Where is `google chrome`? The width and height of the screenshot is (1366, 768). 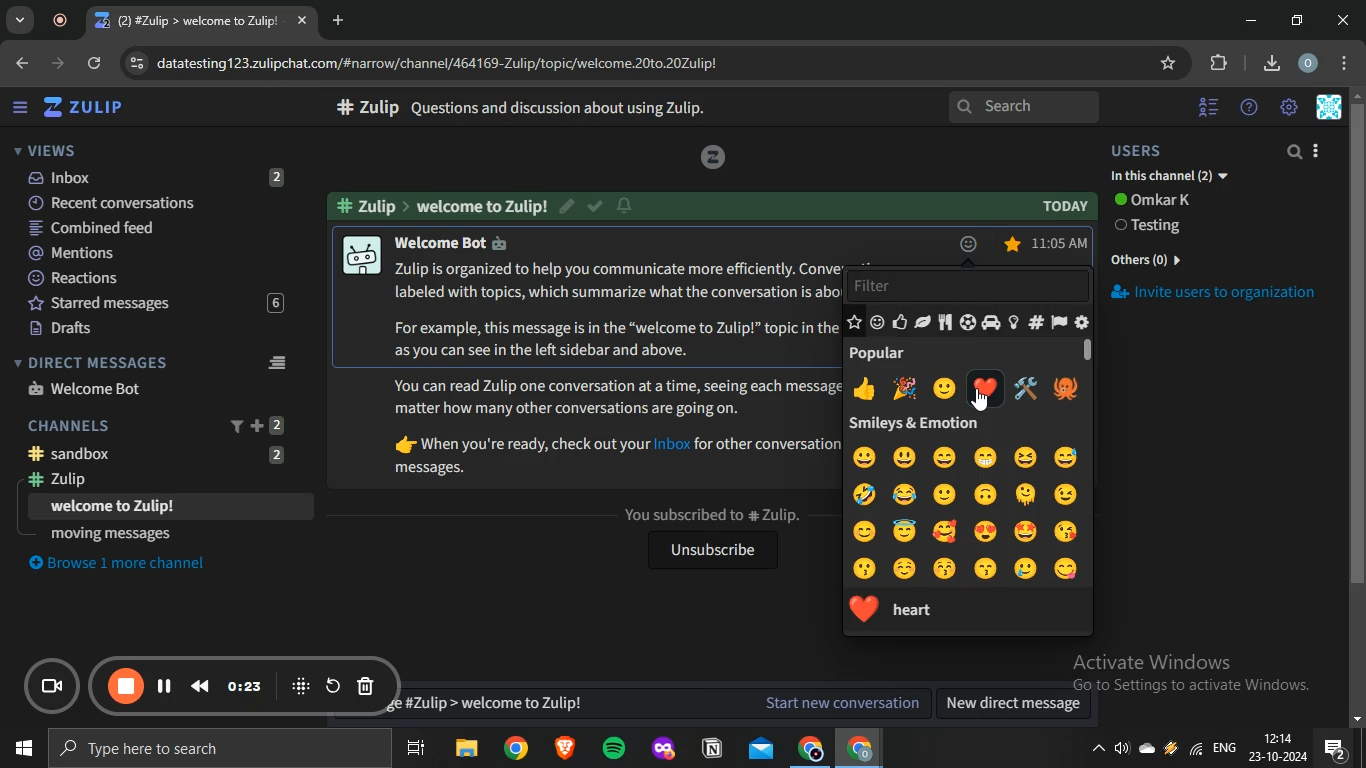 google chrome is located at coordinates (515, 749).